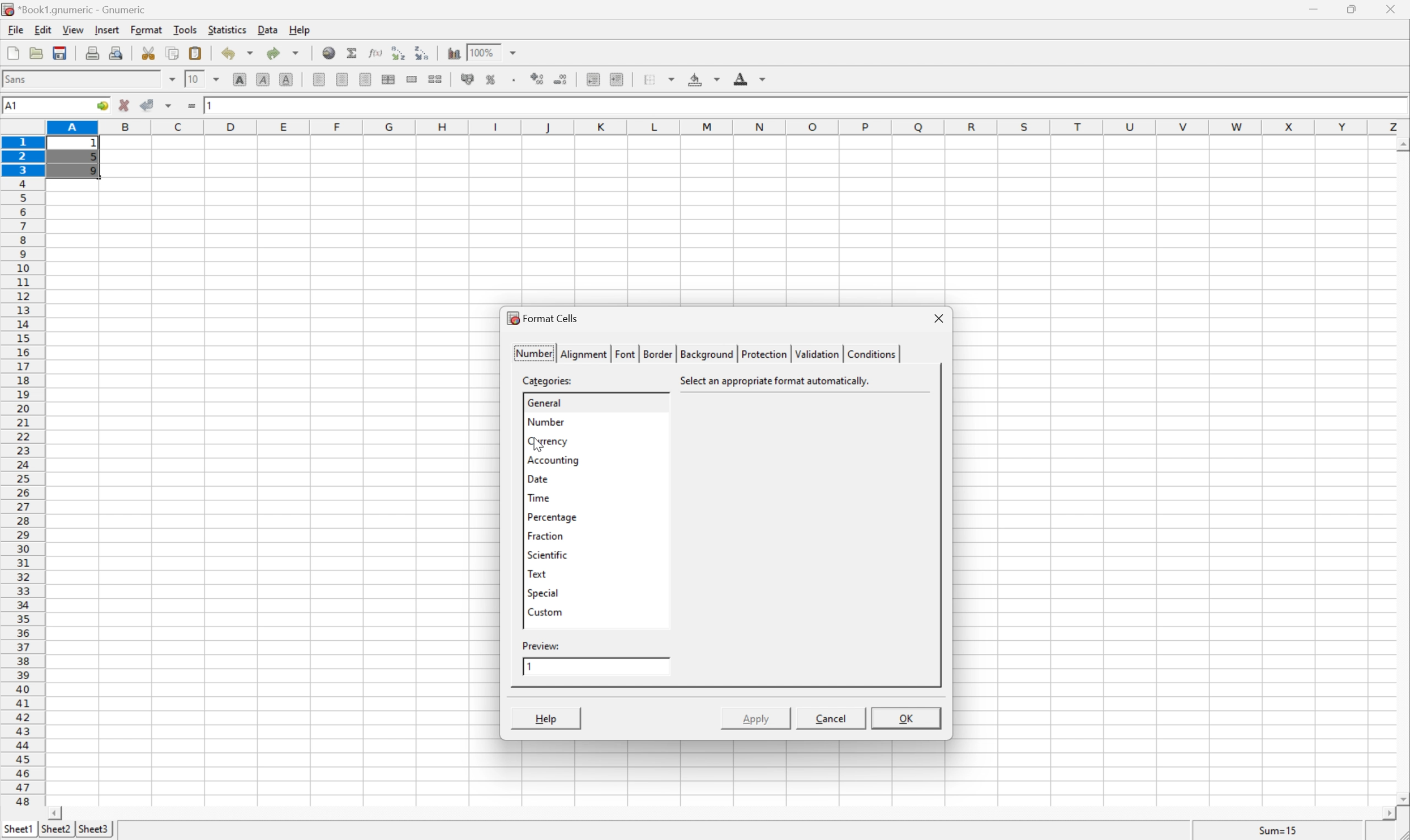 The width and height of the screenshot is (1410, 840). I want to click on enter formula, so click(192, 106).